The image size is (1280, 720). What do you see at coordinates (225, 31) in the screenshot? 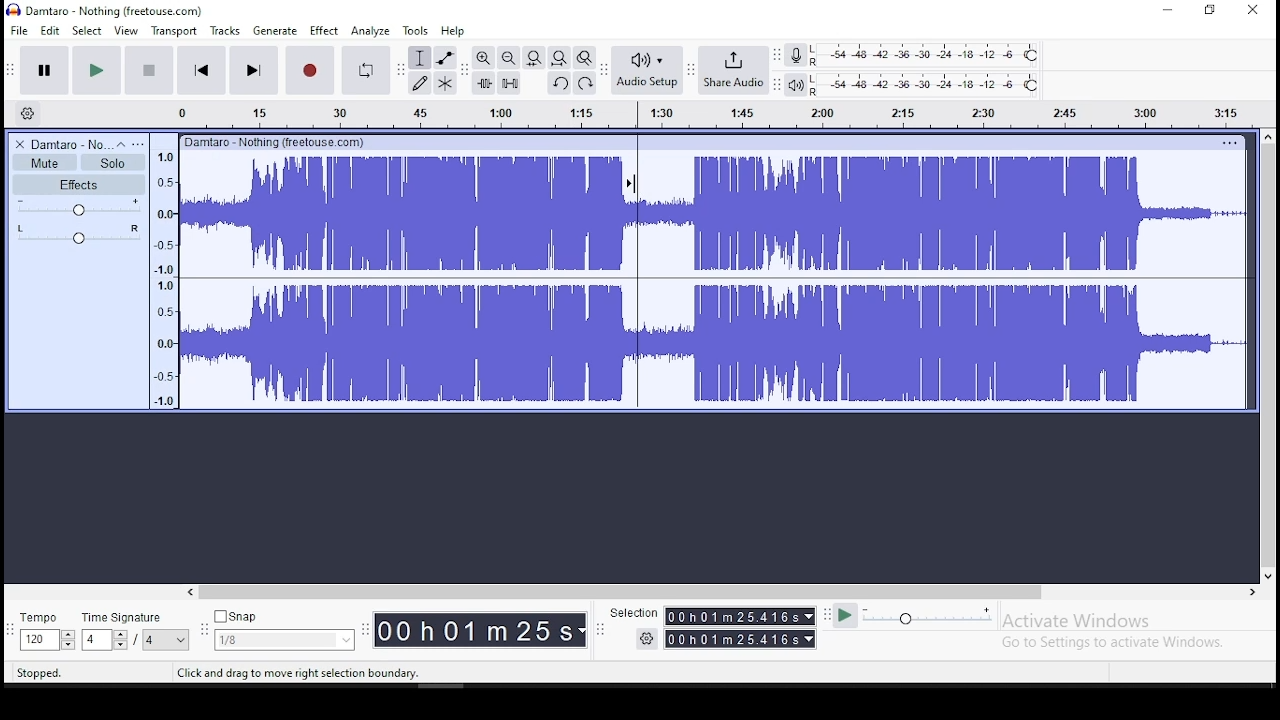
I see `tracks` at bounding box center [225, 31].